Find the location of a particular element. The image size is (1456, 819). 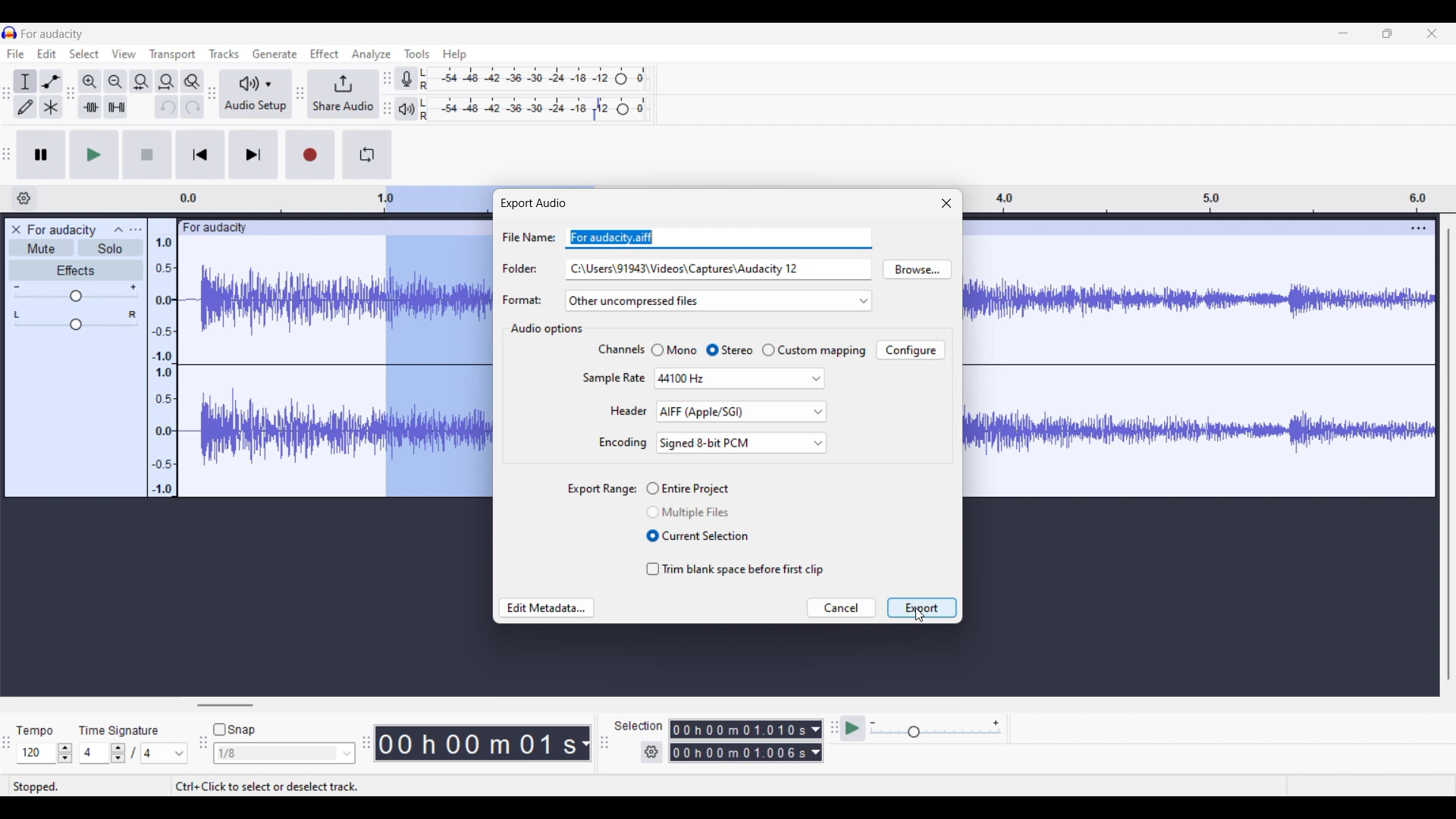

Skip/Select to end is located at coordinates (253, 155).